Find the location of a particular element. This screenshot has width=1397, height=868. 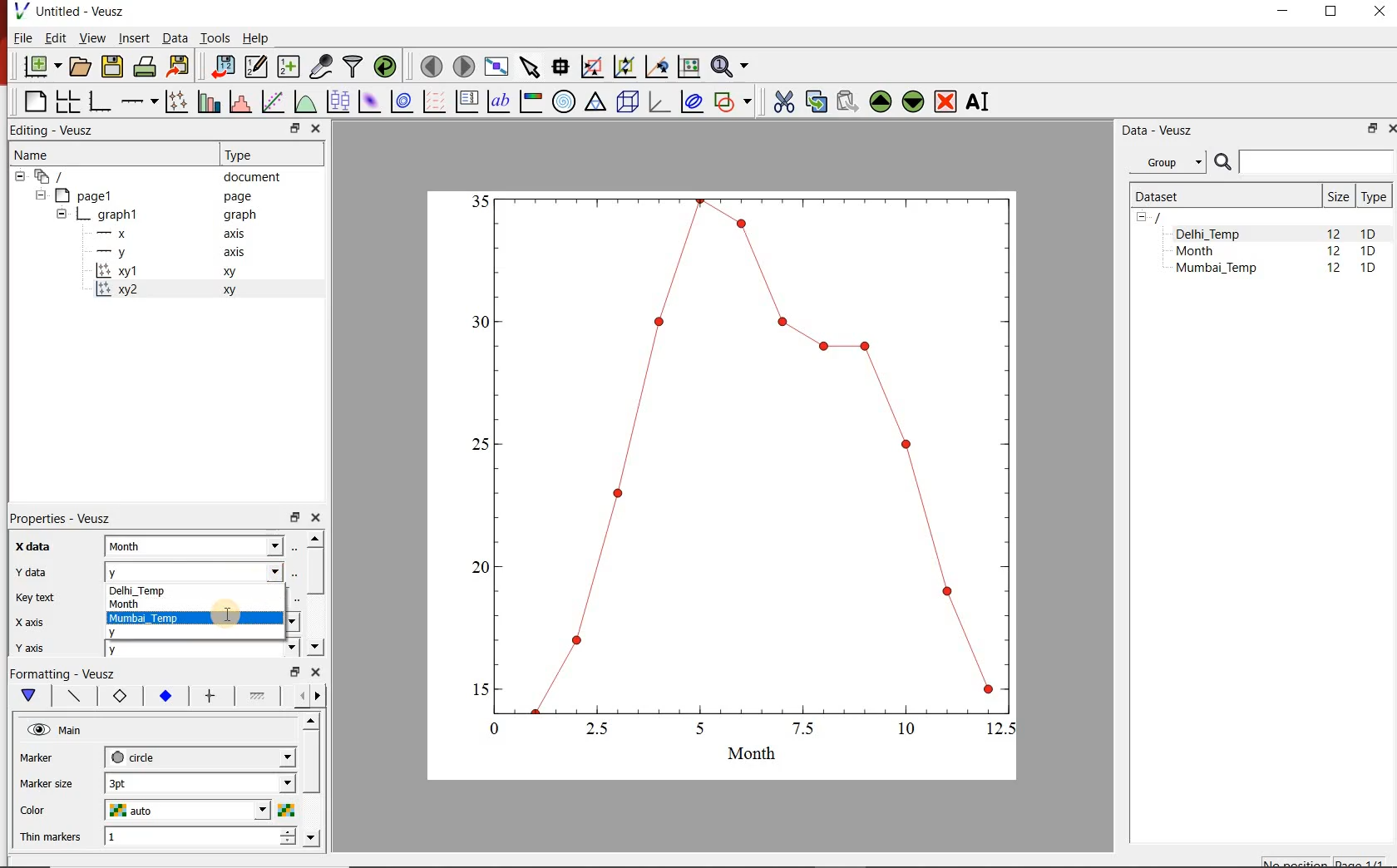

-y axis is located at coordinates (164, 254).